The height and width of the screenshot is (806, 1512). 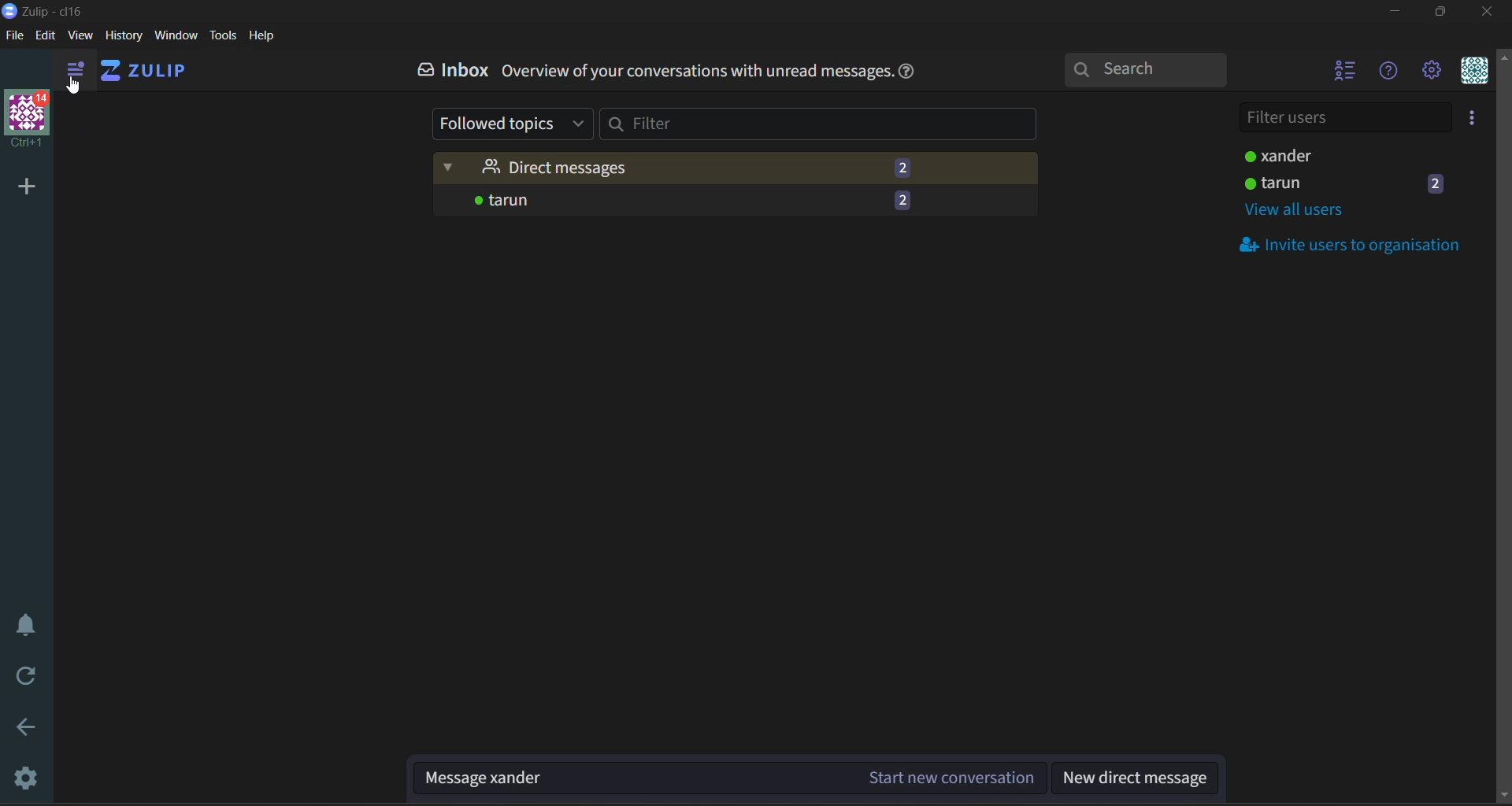 What do you see at coordinates (513, 124) in the screenshot?
I see `followed topics` at bounding box center [513, 124].